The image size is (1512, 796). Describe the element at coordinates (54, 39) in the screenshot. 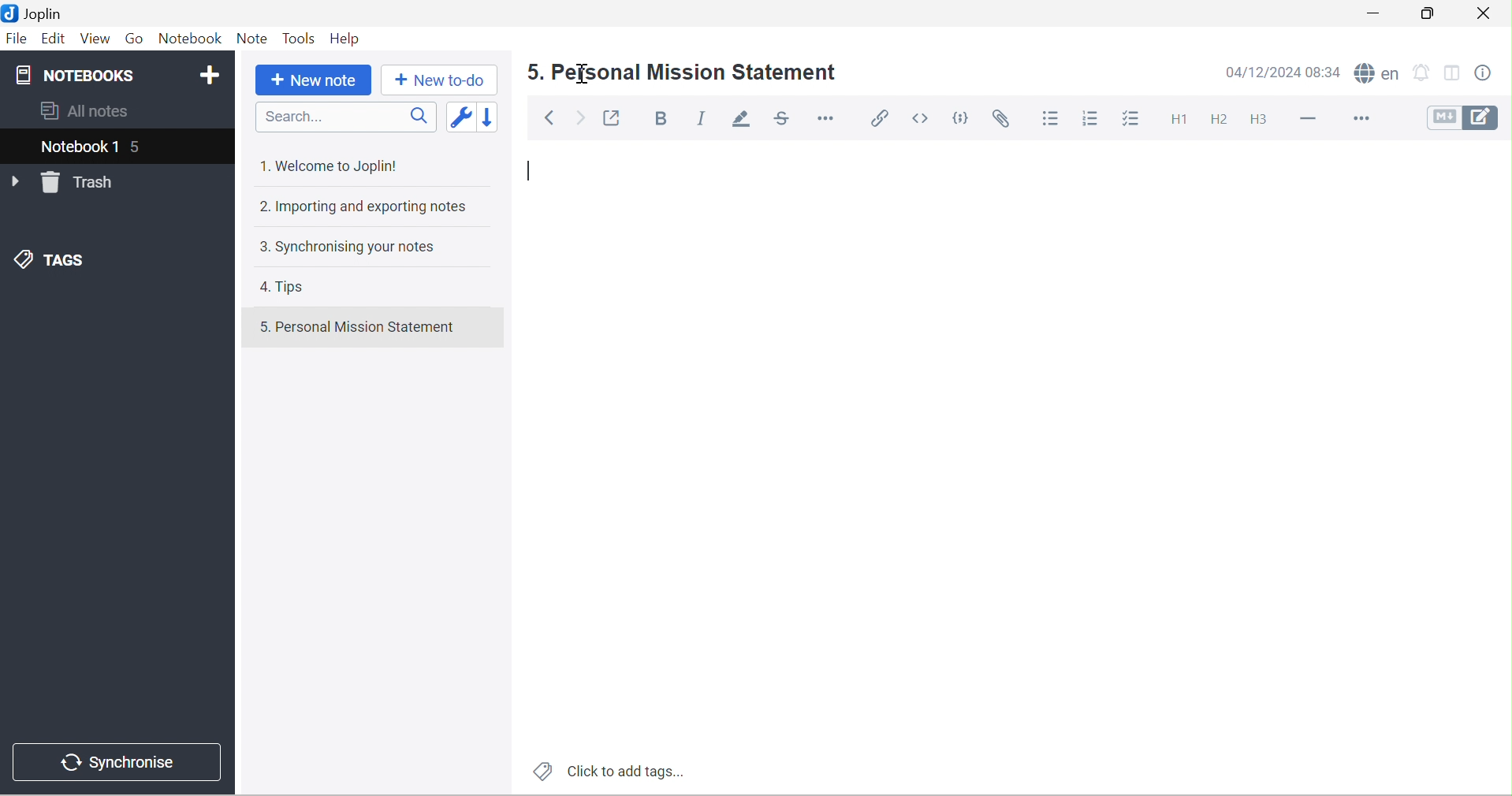

I see `Edit` at that location.